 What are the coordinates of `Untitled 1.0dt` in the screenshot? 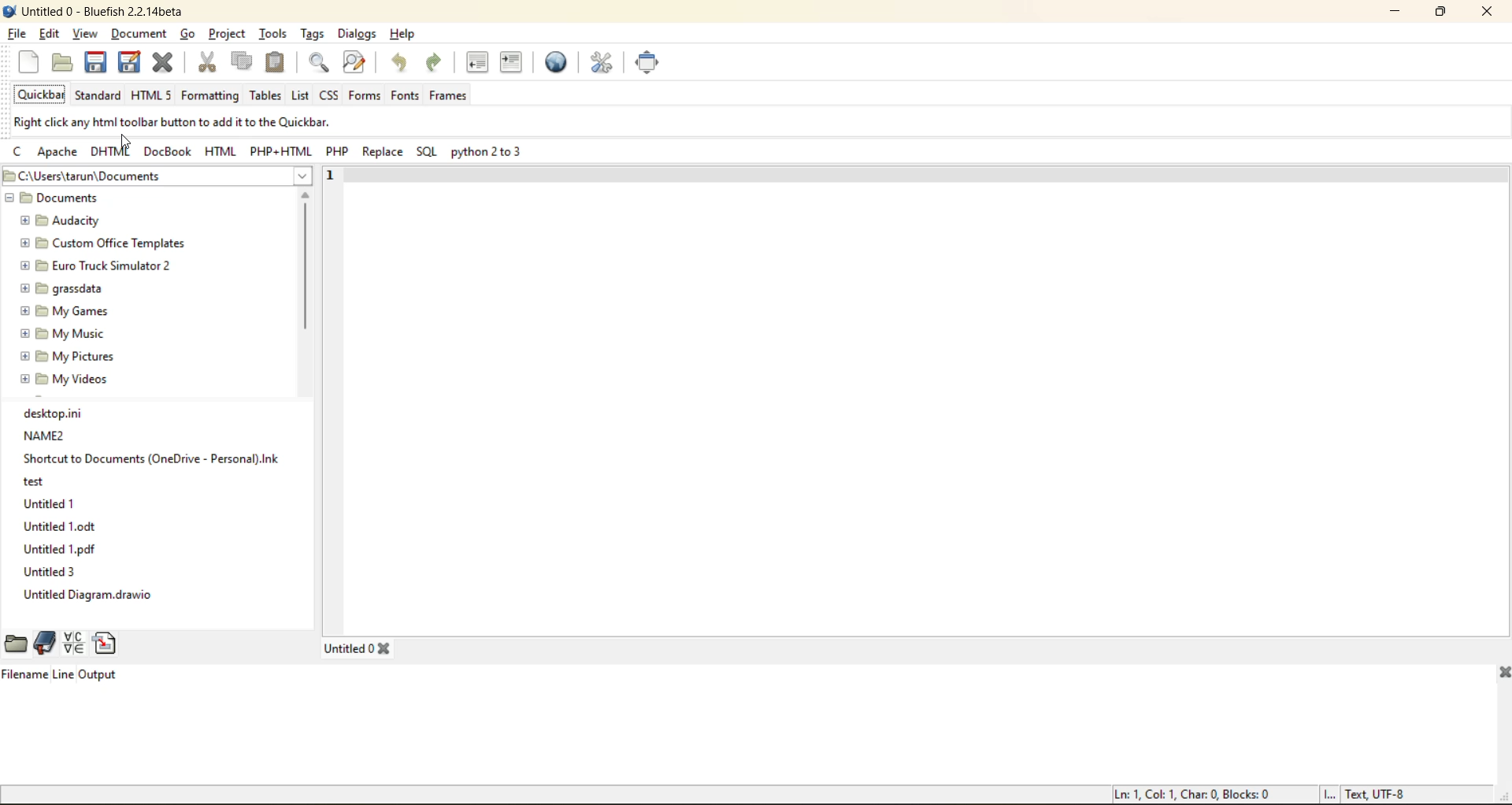 It's located at (64, 529).